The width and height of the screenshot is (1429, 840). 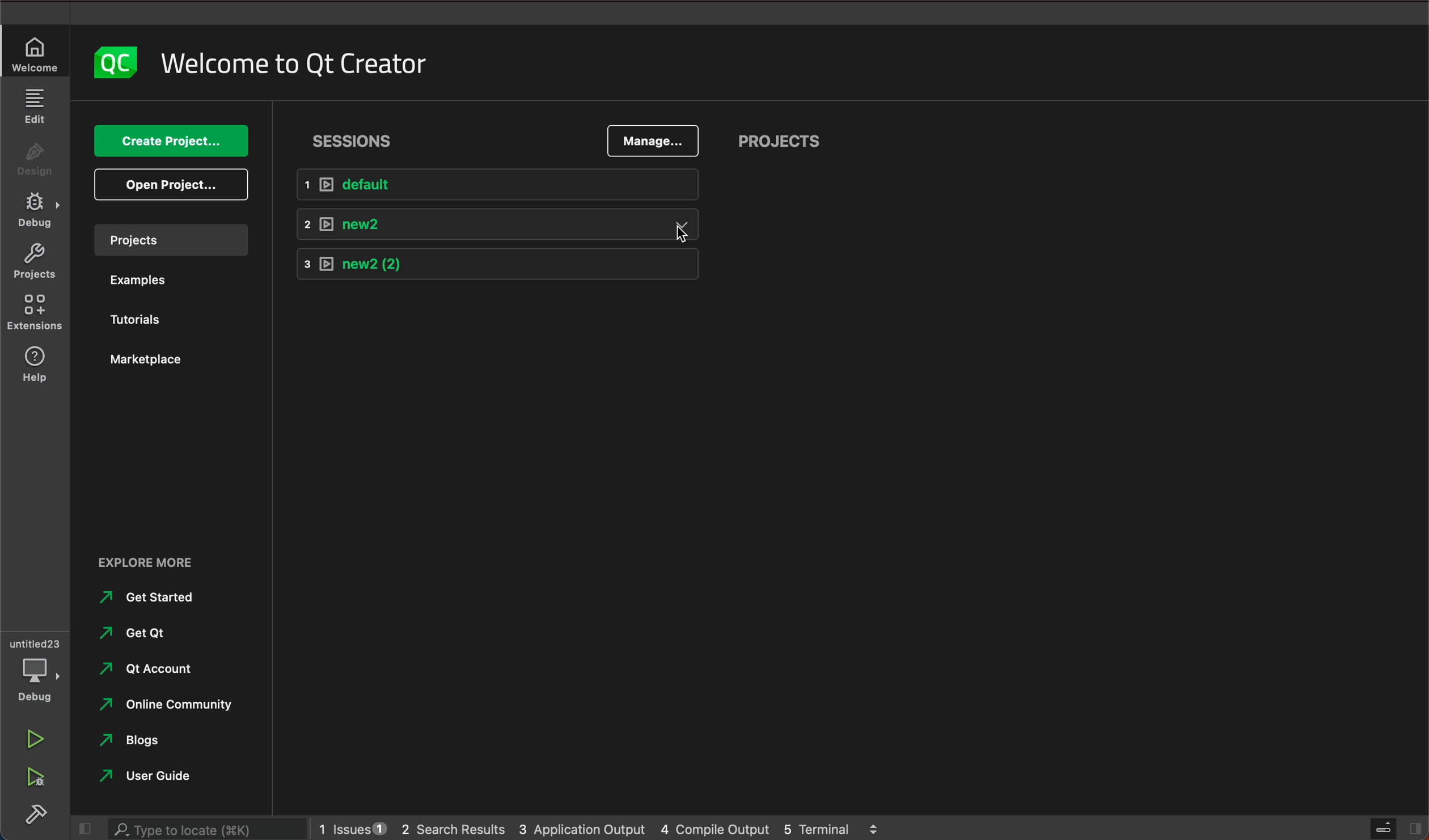 What do you see at coordinates (498, 184) in the screenshot?
I see `default` at bounding box center [498, 184].